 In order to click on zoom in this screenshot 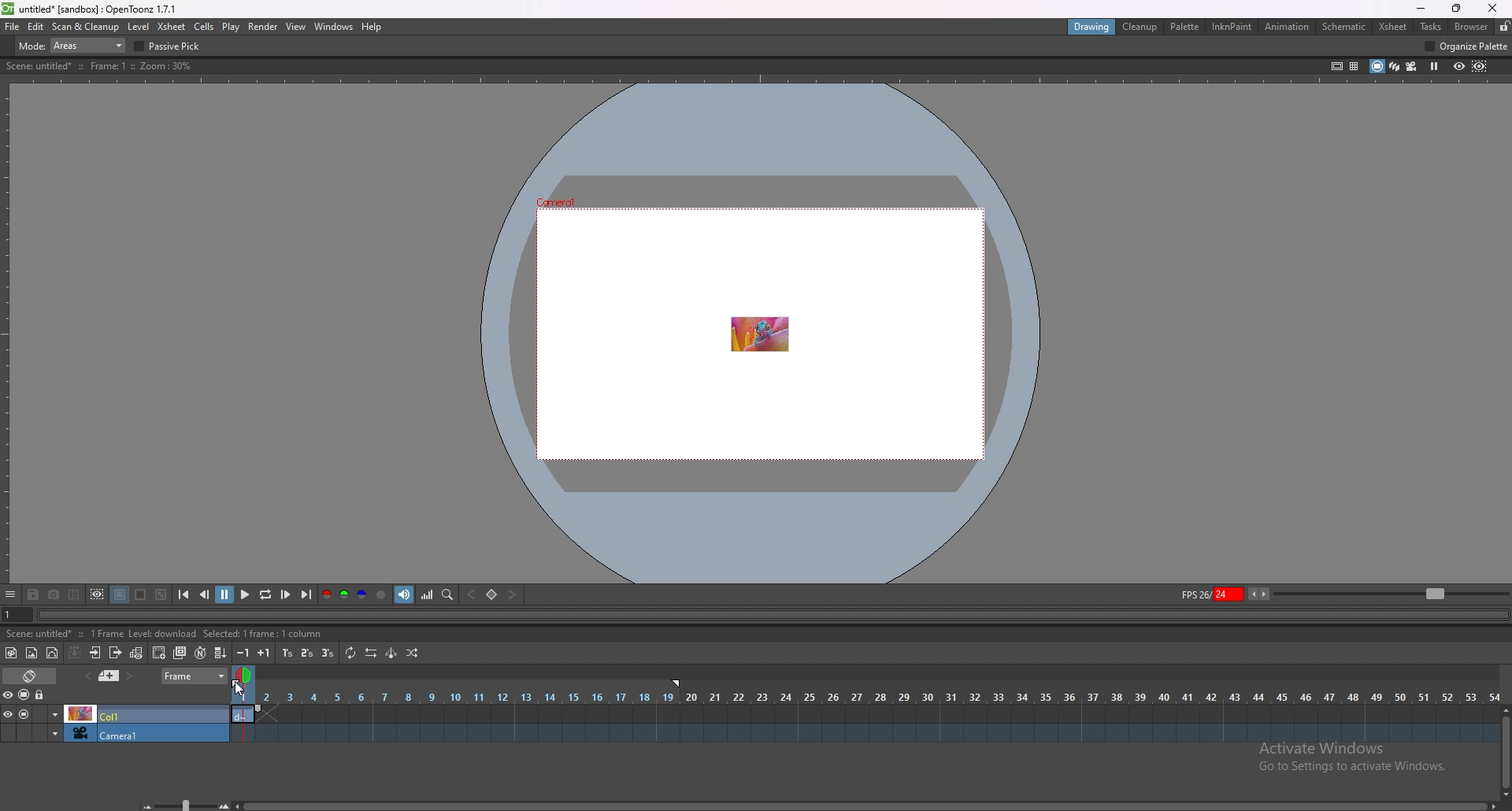, I will do `click(1392, 592)`.